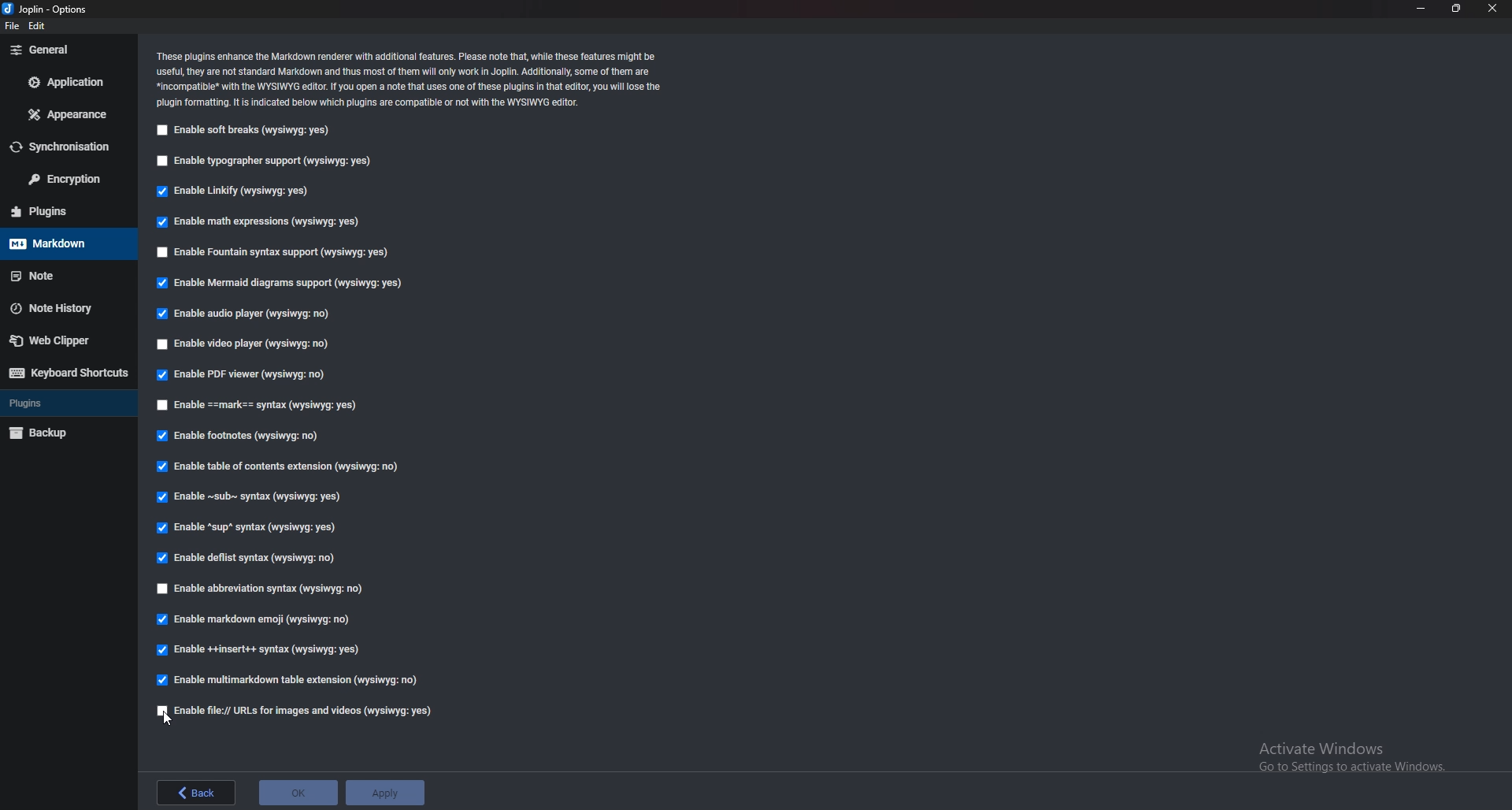 This screenshot has height=810, width=1512. I want to click on cursor, so click(169, 718).